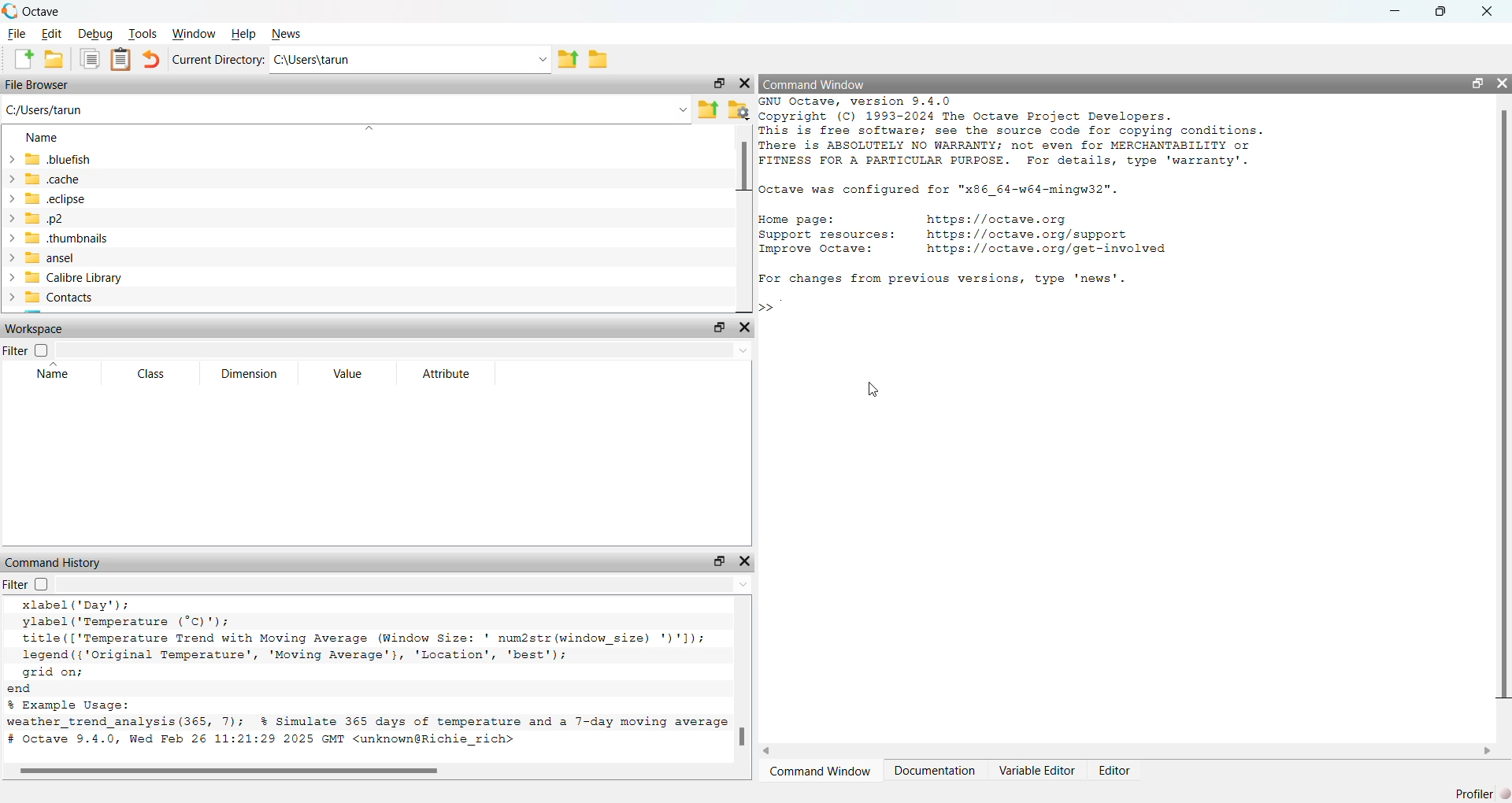 The height and width of the screenshot is (803, 1512). I want to click on maximise, so click(717, 83).